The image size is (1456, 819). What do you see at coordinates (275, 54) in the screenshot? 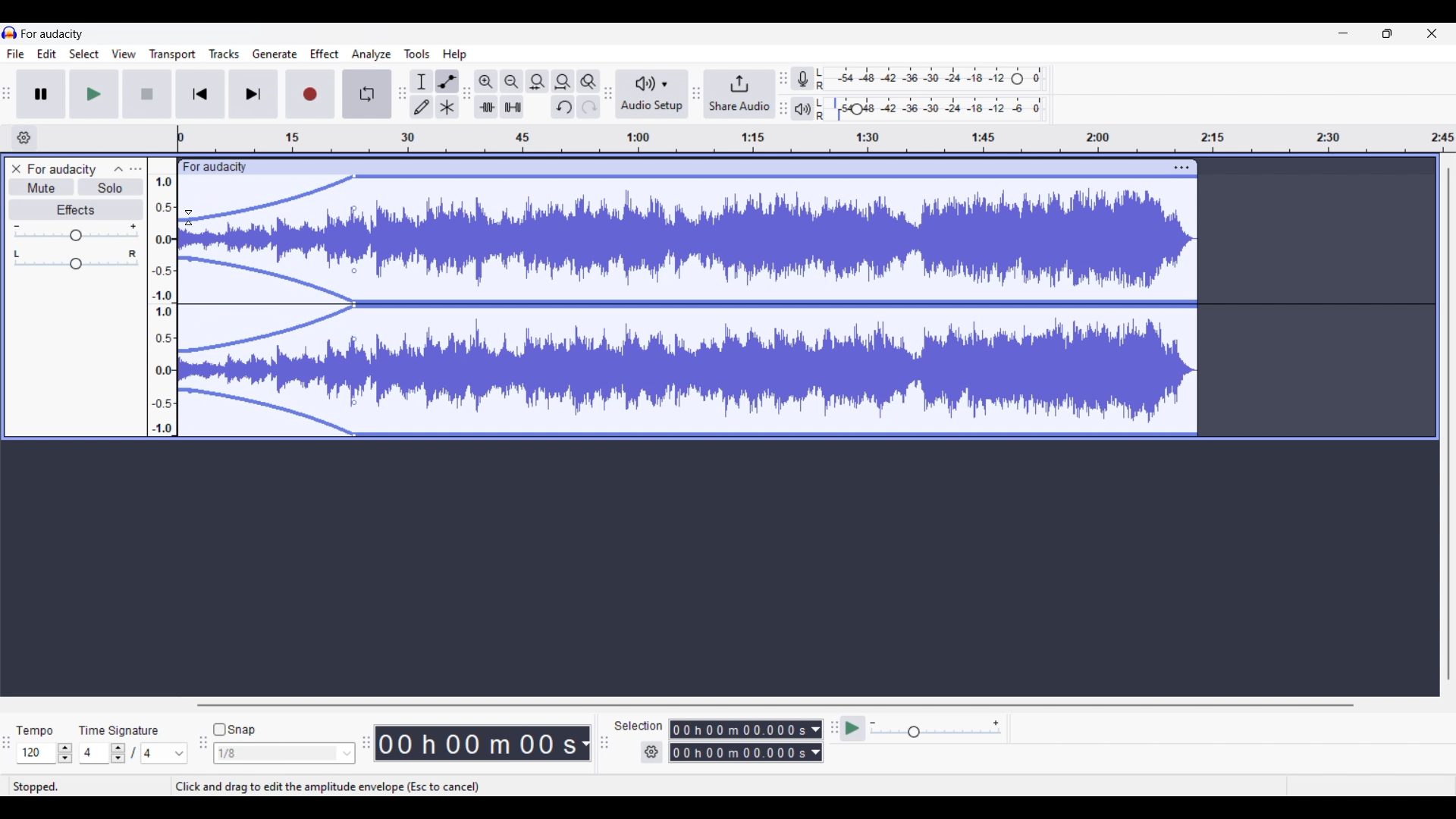
I see `Generate` at bounding box center [275, 54].